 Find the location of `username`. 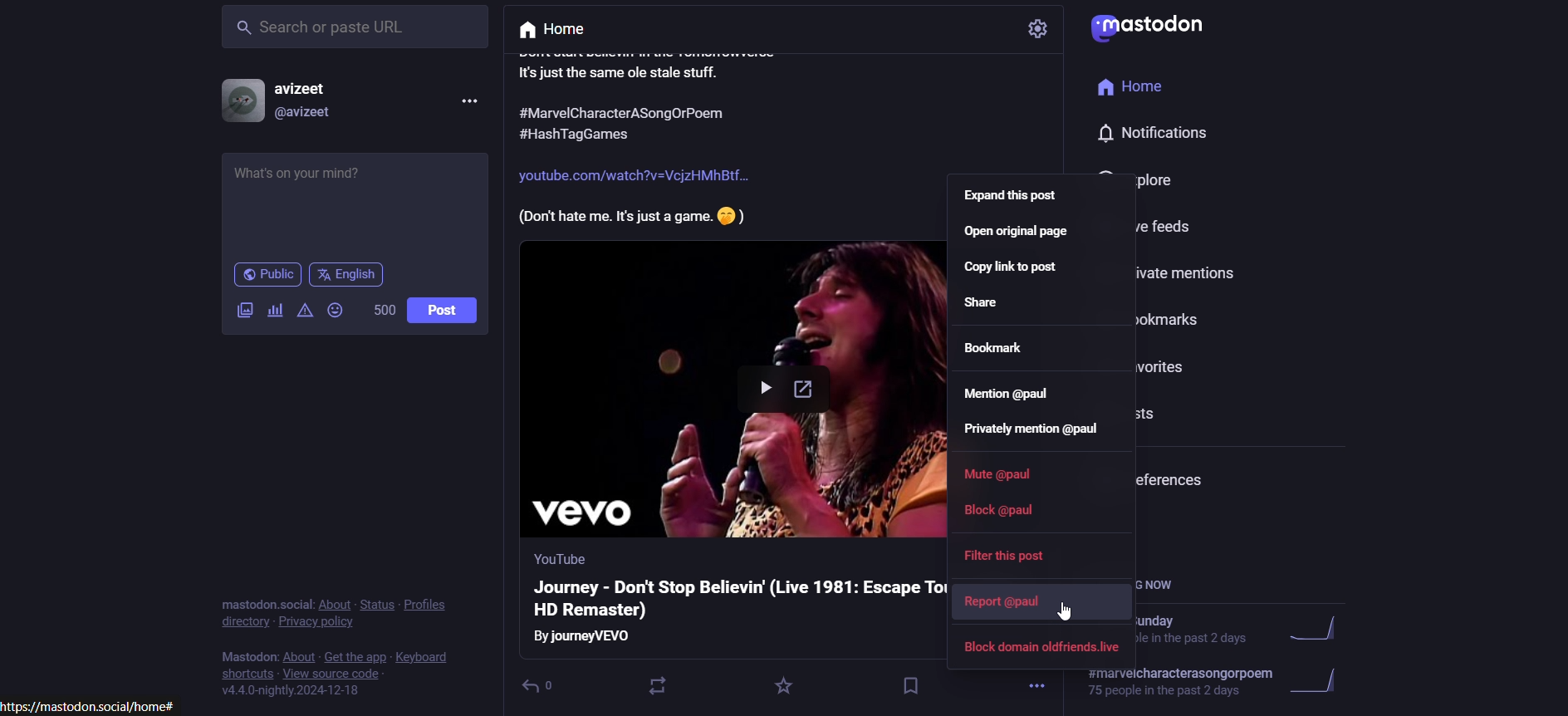

username is located at coordinates (304, 87).